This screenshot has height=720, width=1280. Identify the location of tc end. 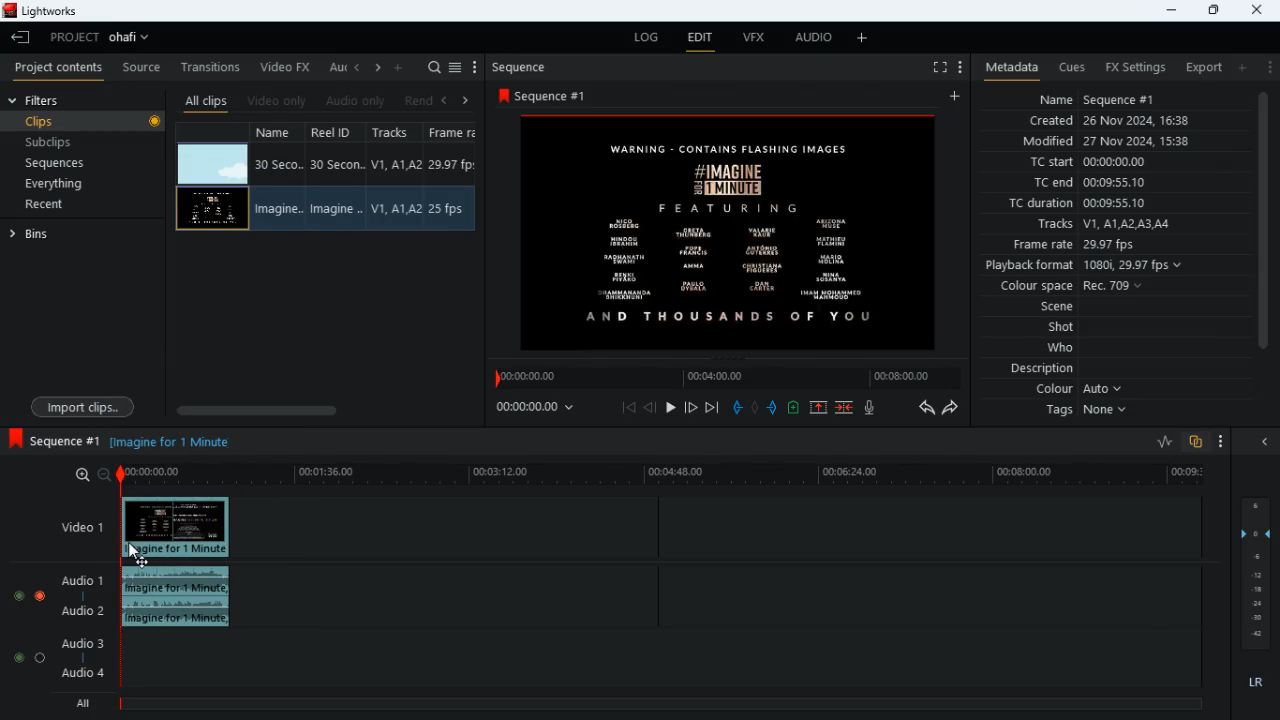
(1097, 183).